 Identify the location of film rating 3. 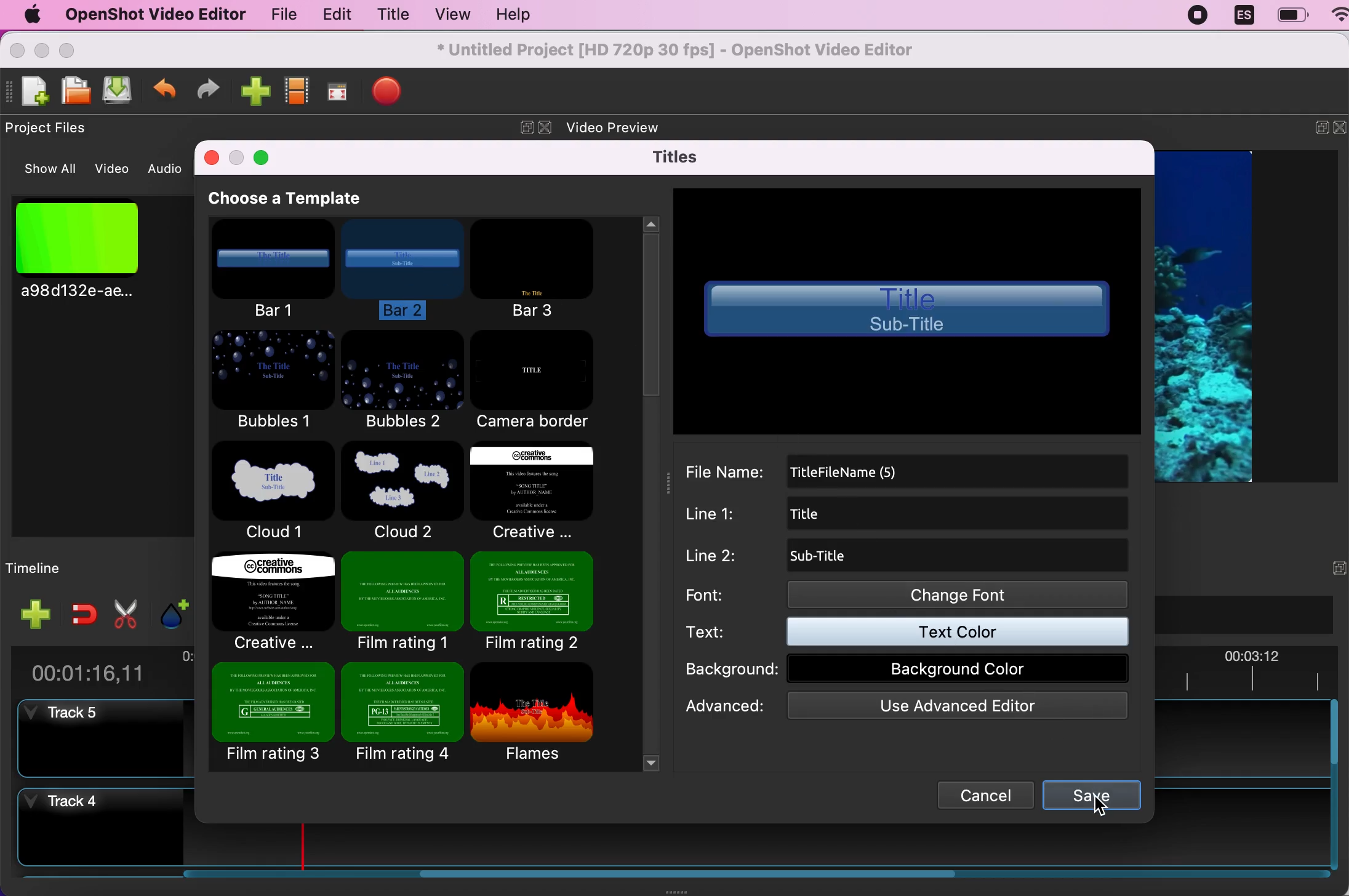
(273, 718).